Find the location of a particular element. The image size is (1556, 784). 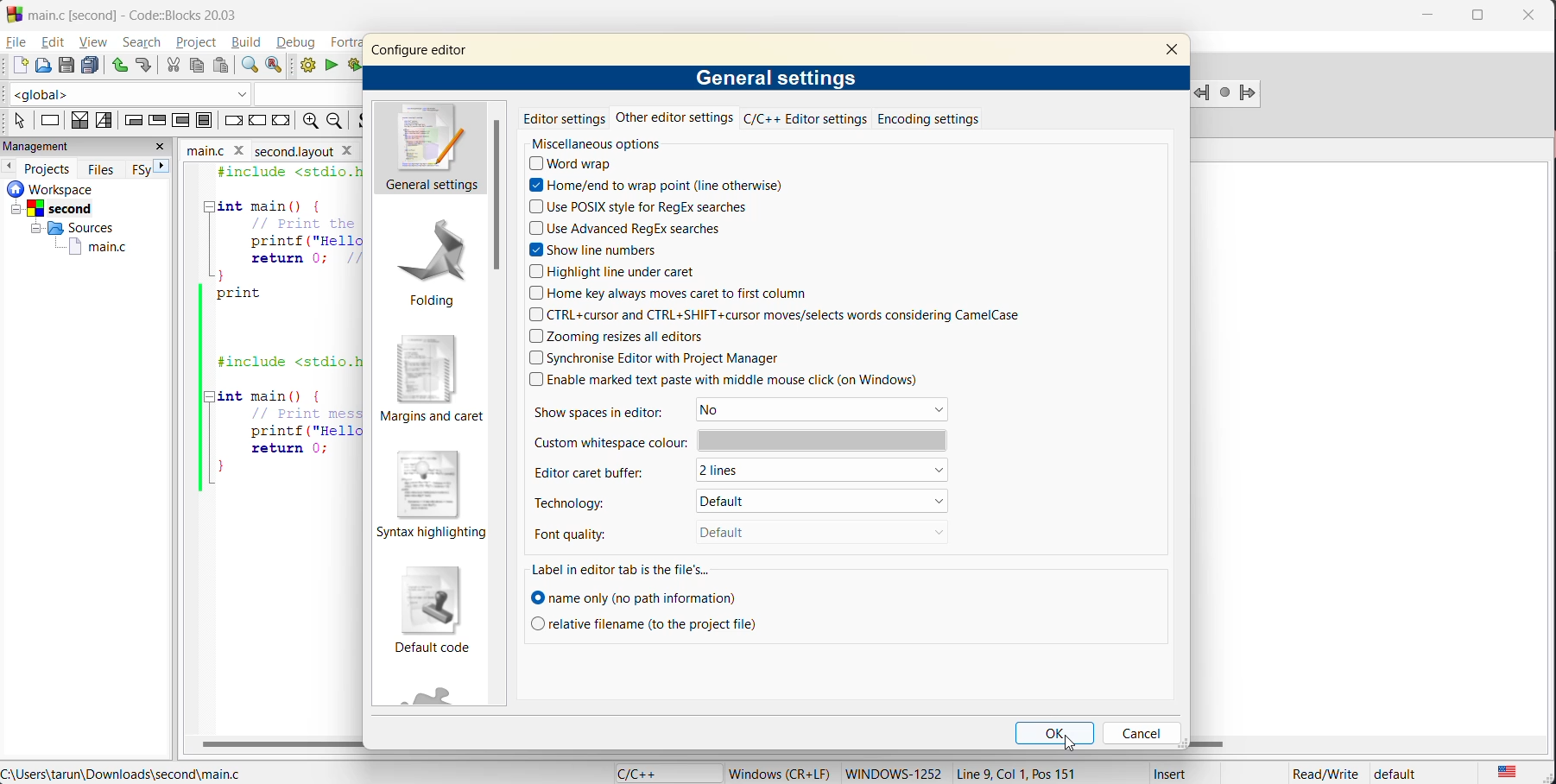

Default is located at coordinates (784, 533).